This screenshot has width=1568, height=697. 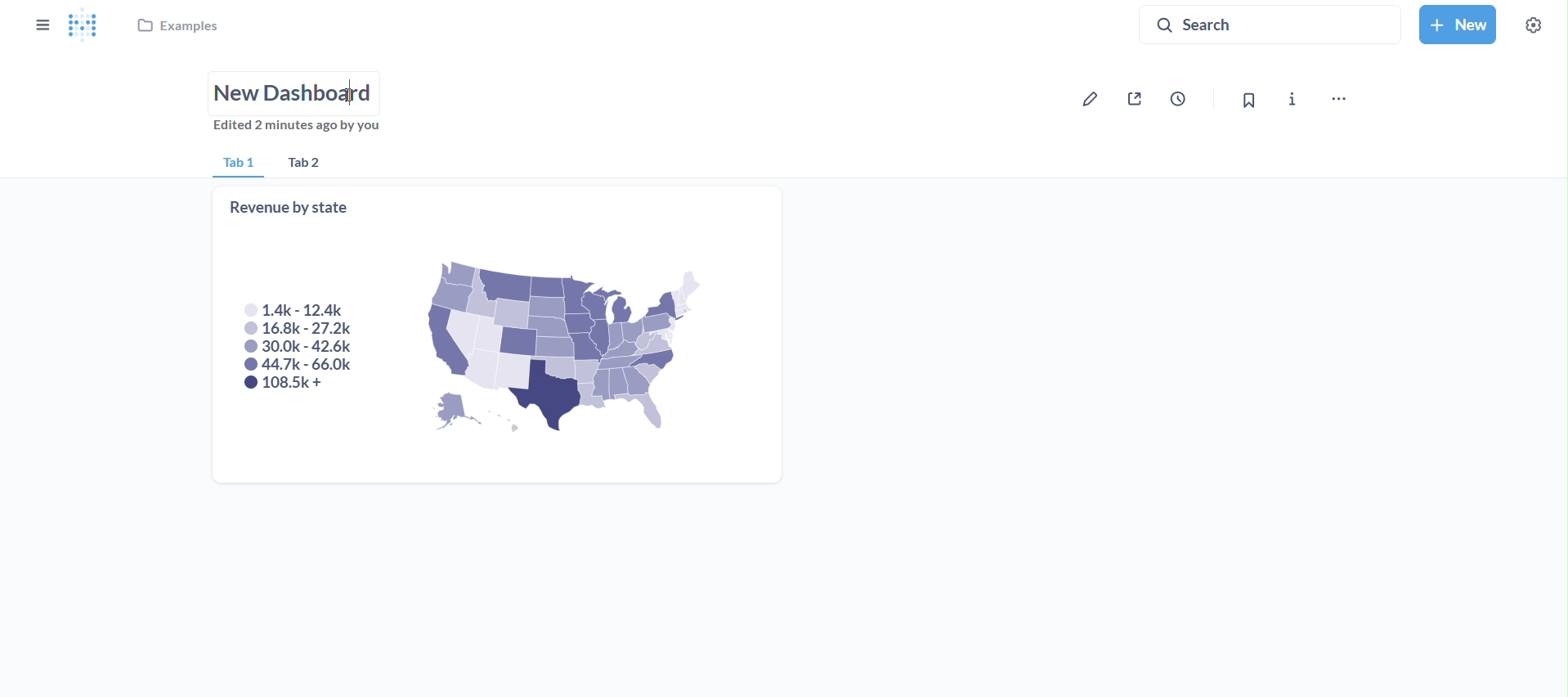 What do you see at coordinates (181, 29) in the screenshot?
I see `examples` at bounding box center [181, 29].